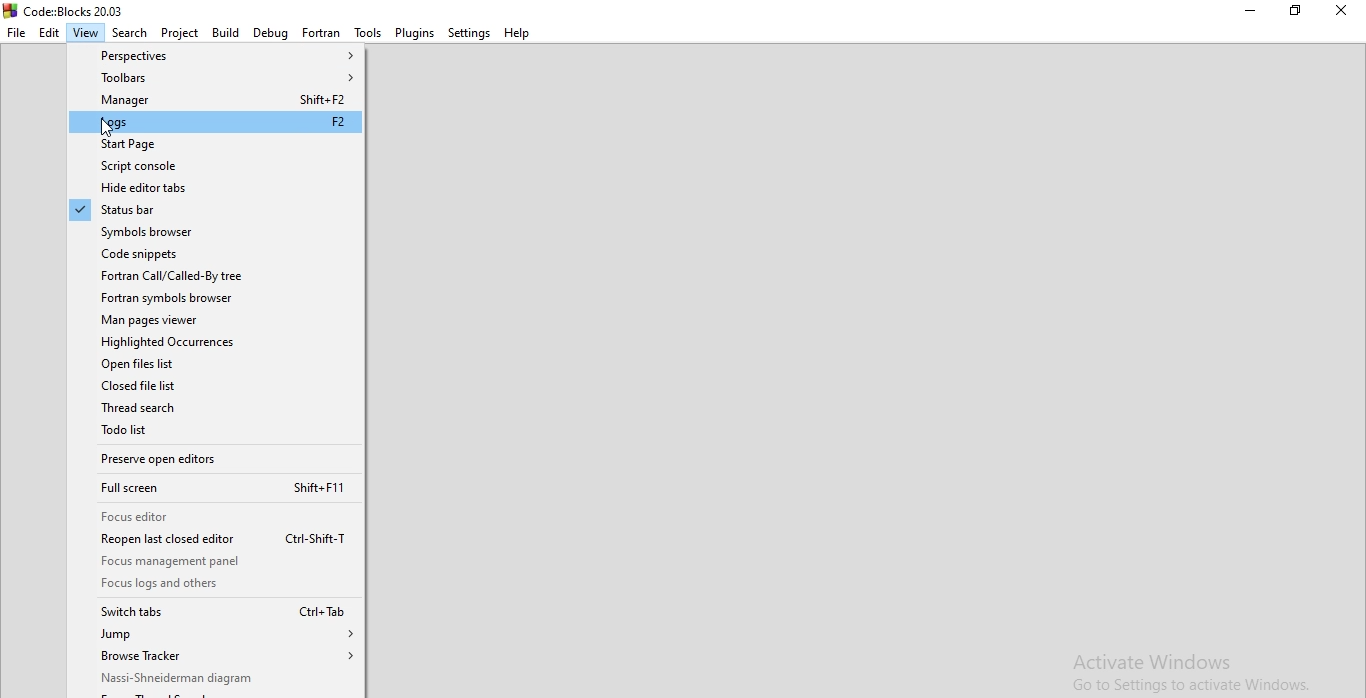 The height and width of the screenshot is (698, 1366). I want to click on Perspectives, so click(215, 54).